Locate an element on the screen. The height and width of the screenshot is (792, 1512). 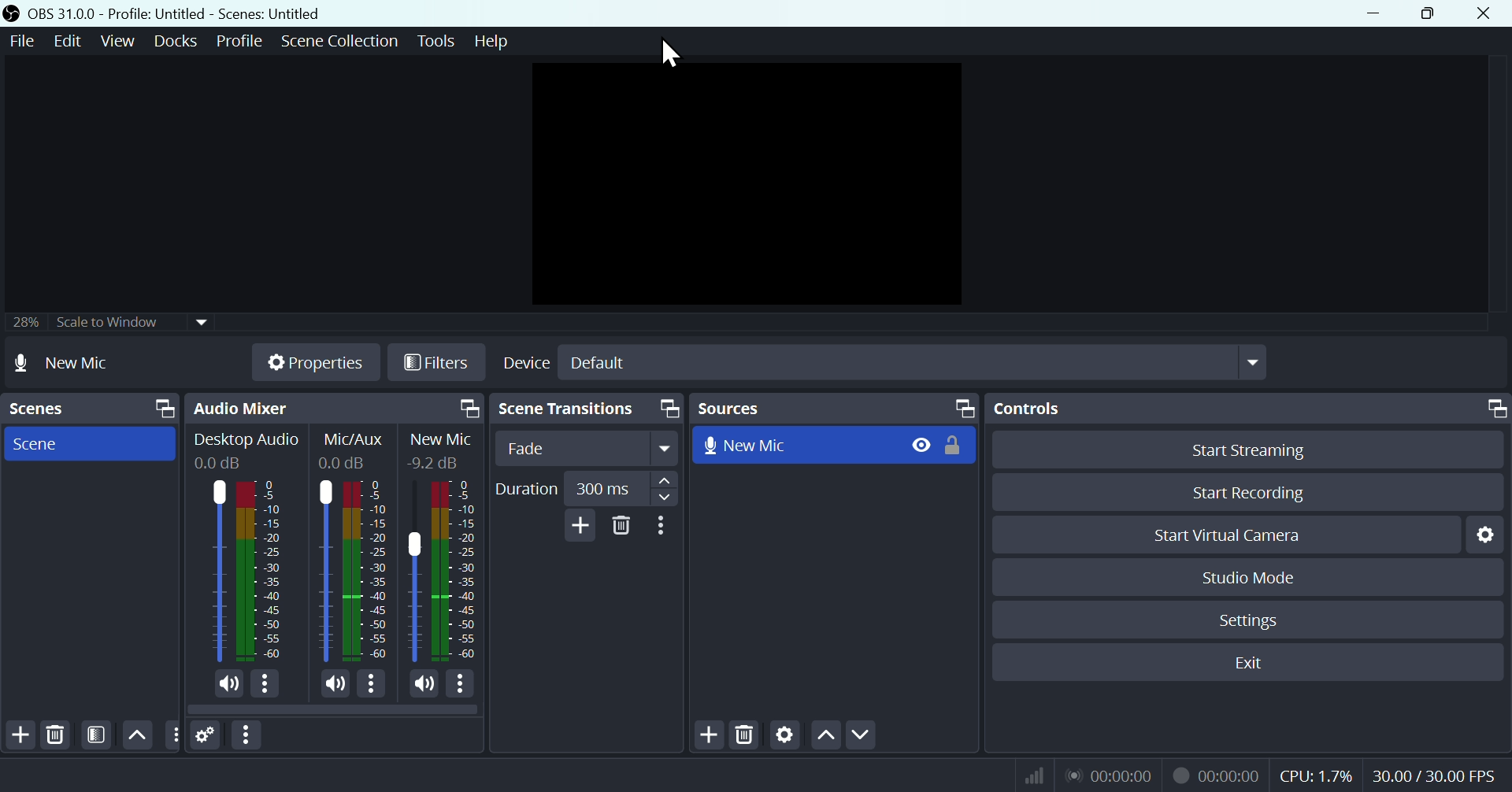
Studio mode is located at coordinates (1250, 577).